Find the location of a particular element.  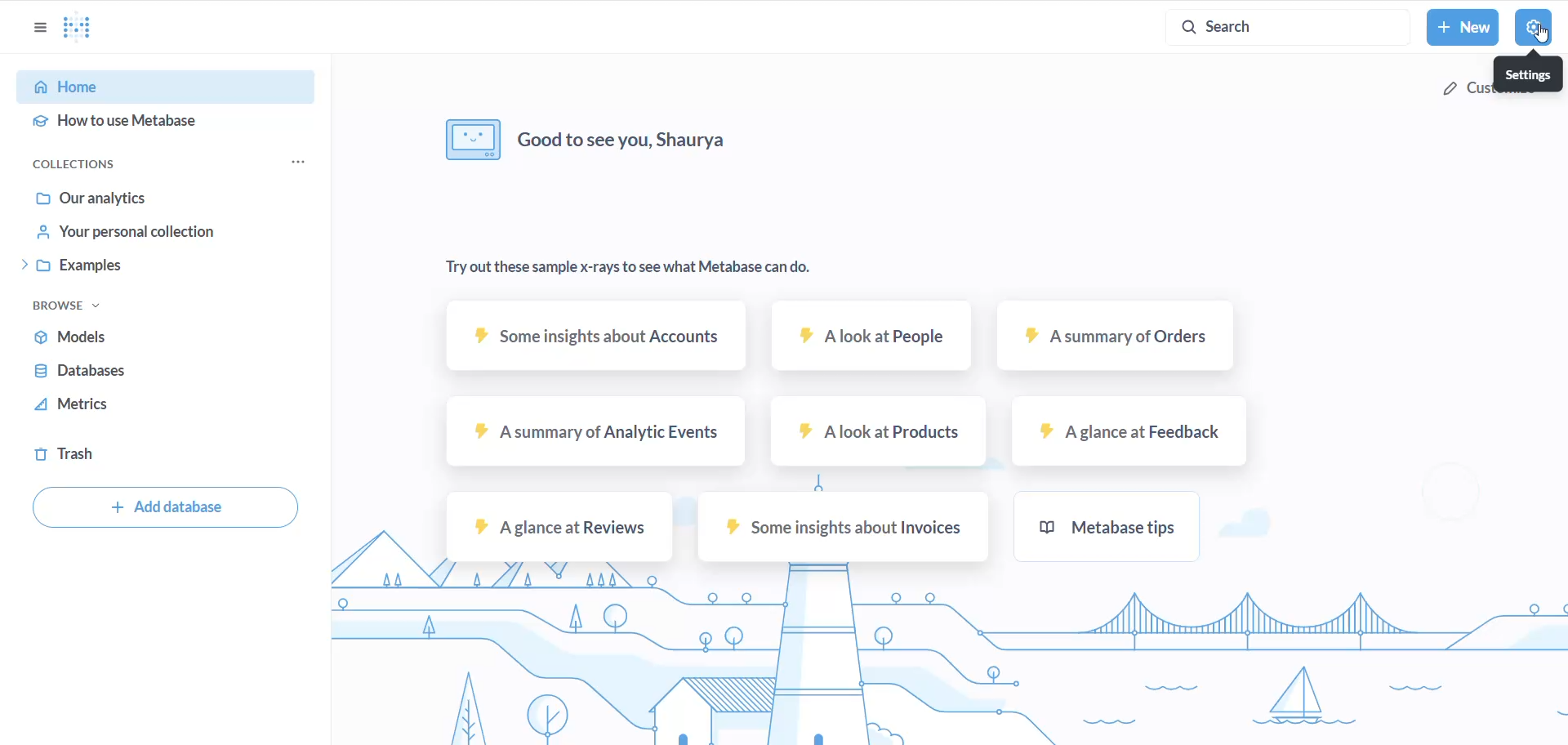

MODELS is located at coordinates (170, 337).